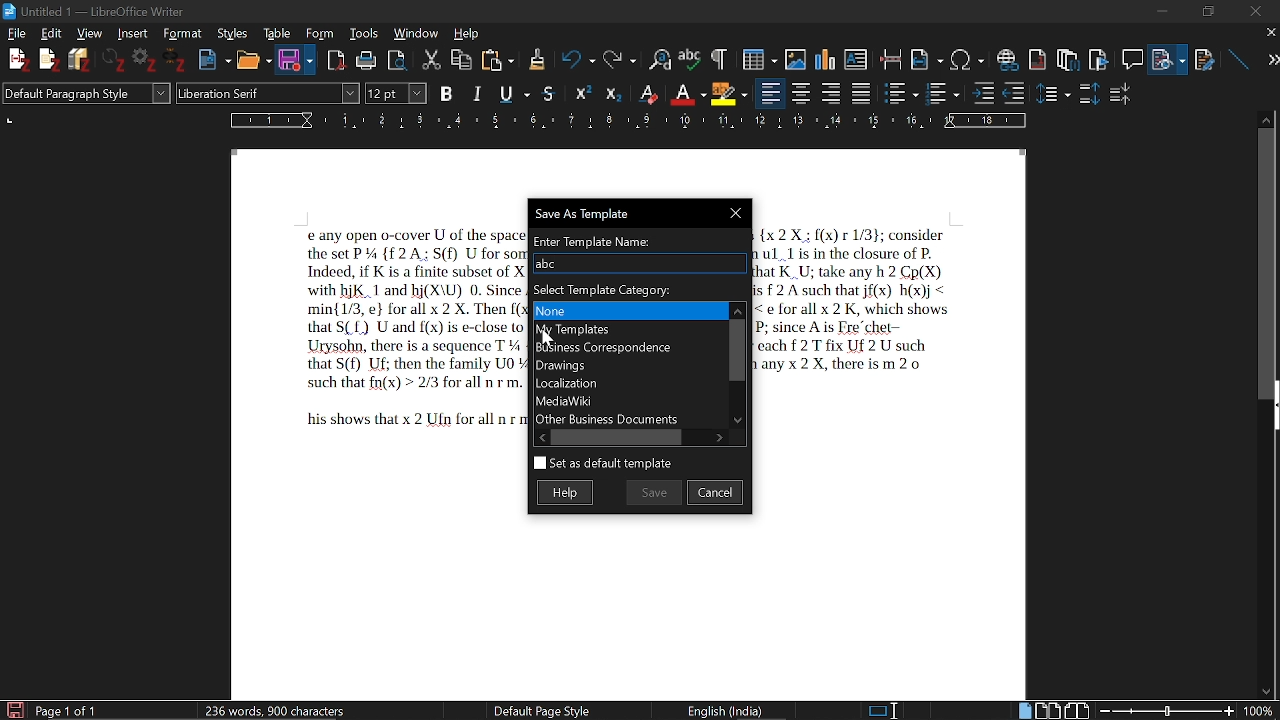 The height and width of the screenshot is (720, 1280). What do you see at coordinates (1185, 710) in the screenshot?
I see `change zoom` at bounding box center [1185, 710].